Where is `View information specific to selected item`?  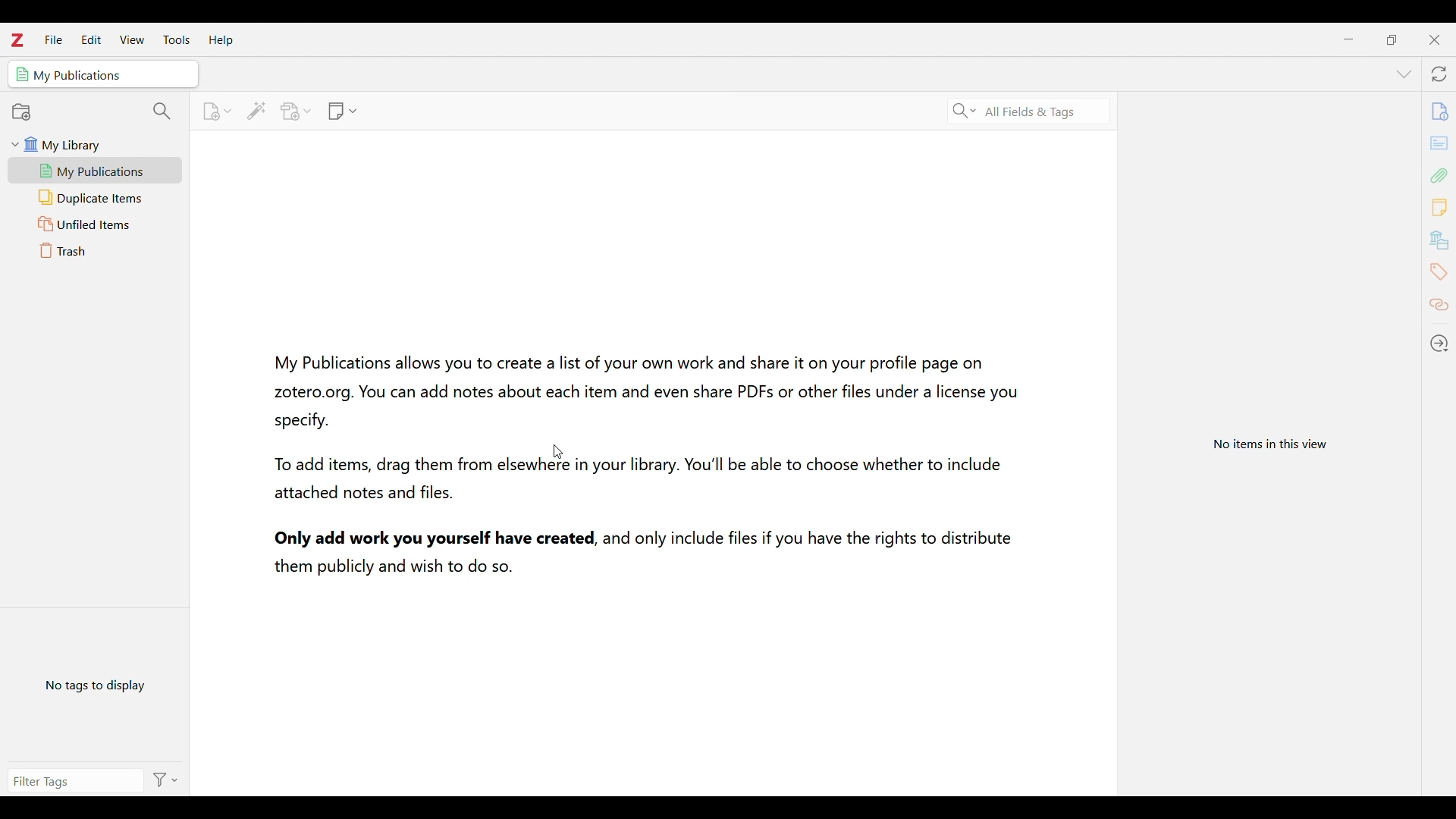
View information specific to selected item is located at coordinates (1274, 442).